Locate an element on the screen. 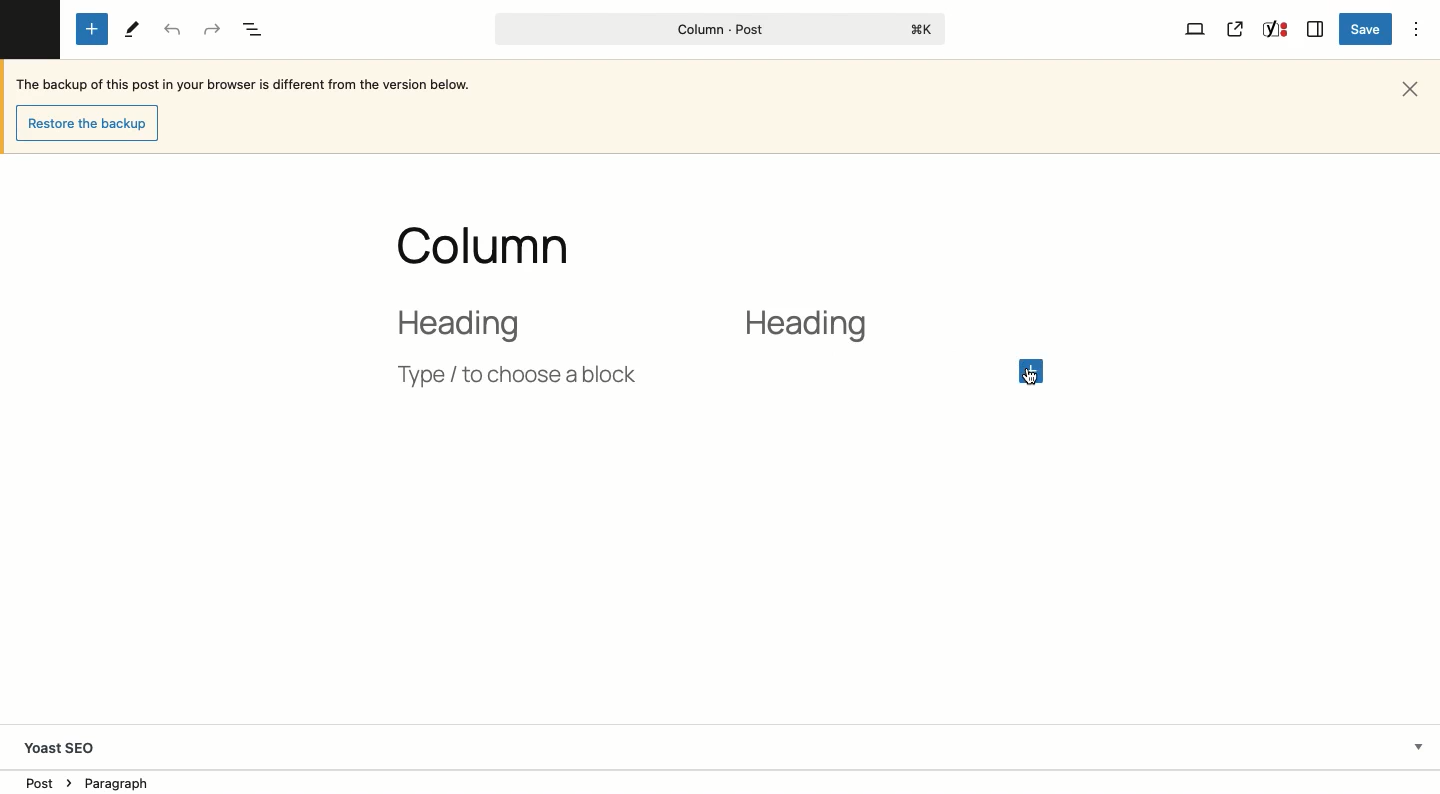 This screenshot has width=1440, height=794. Type / choose a block is located at coordinates (515, 375).